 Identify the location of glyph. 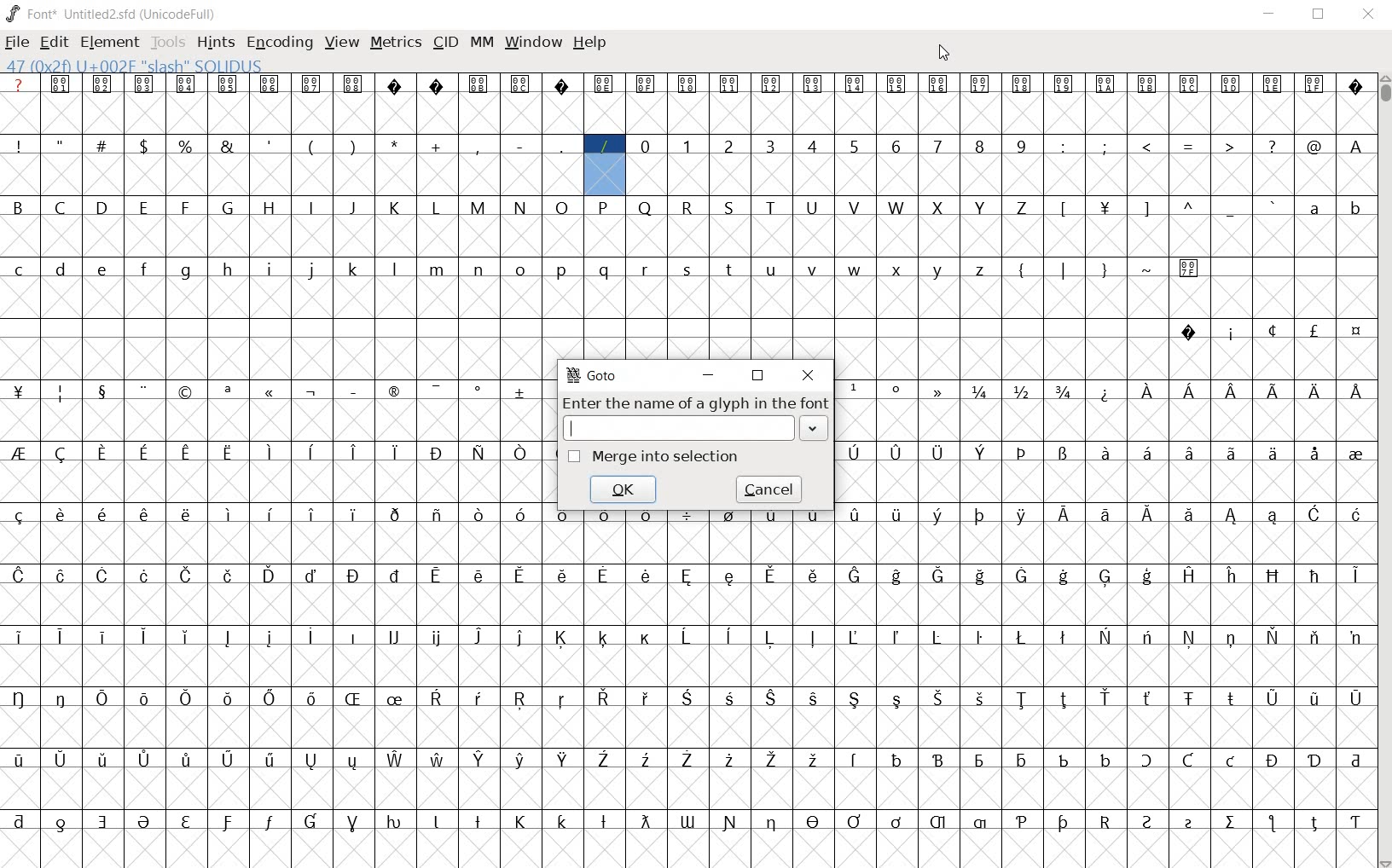
(1190, 205).